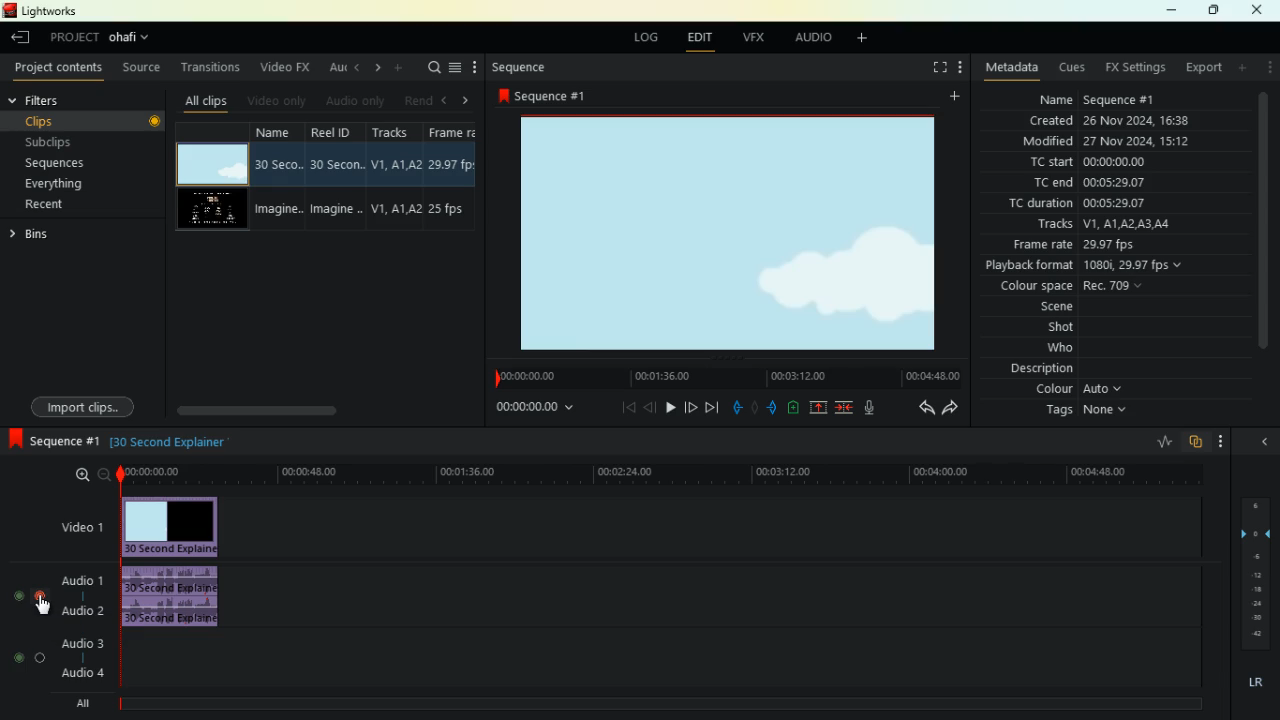  I want to click on right, so click(376, 69).